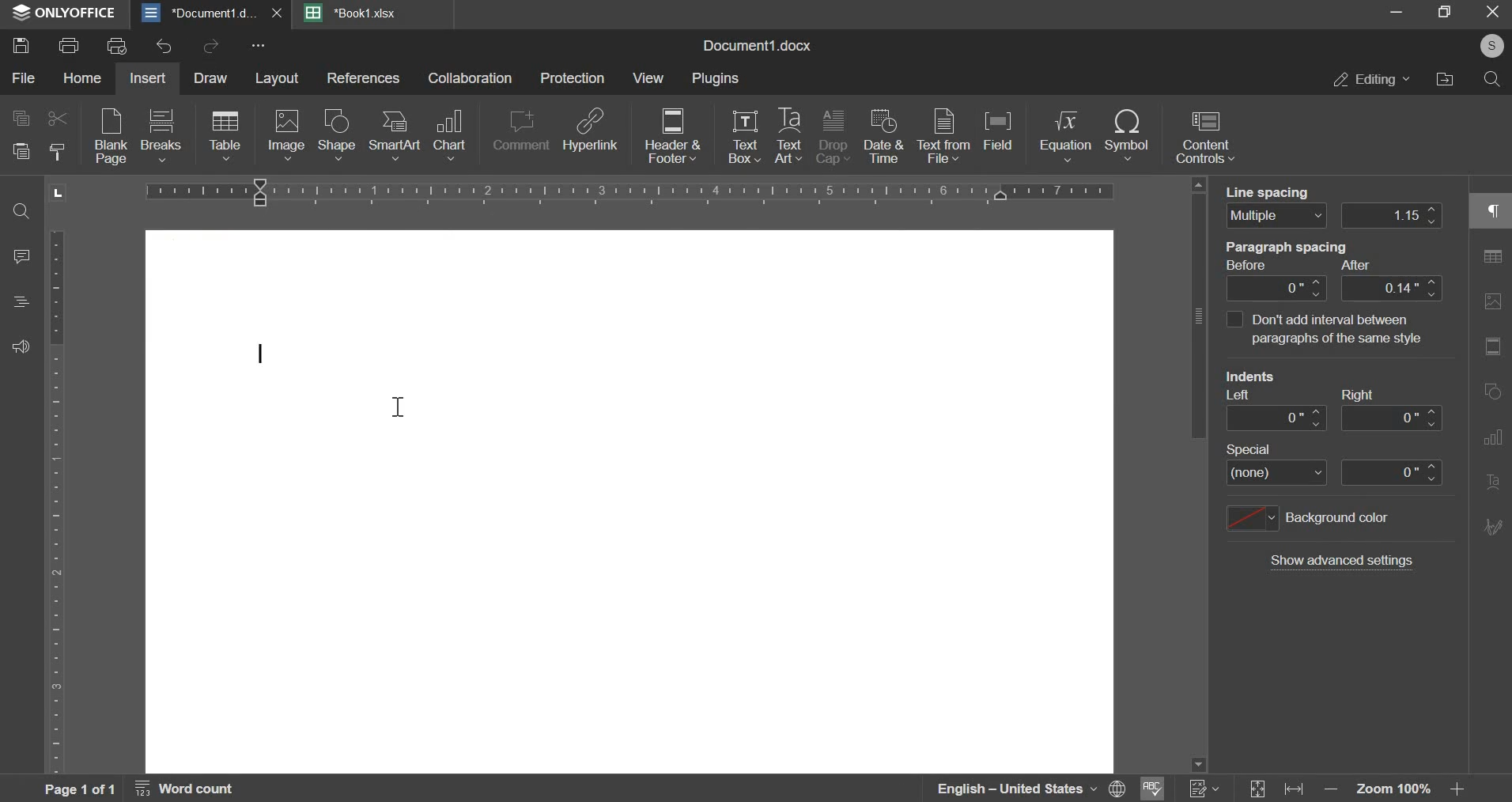  What do you see at coordinates (745, 138) in the screenshot?
I see `text box` at bounding box center [745, 138].